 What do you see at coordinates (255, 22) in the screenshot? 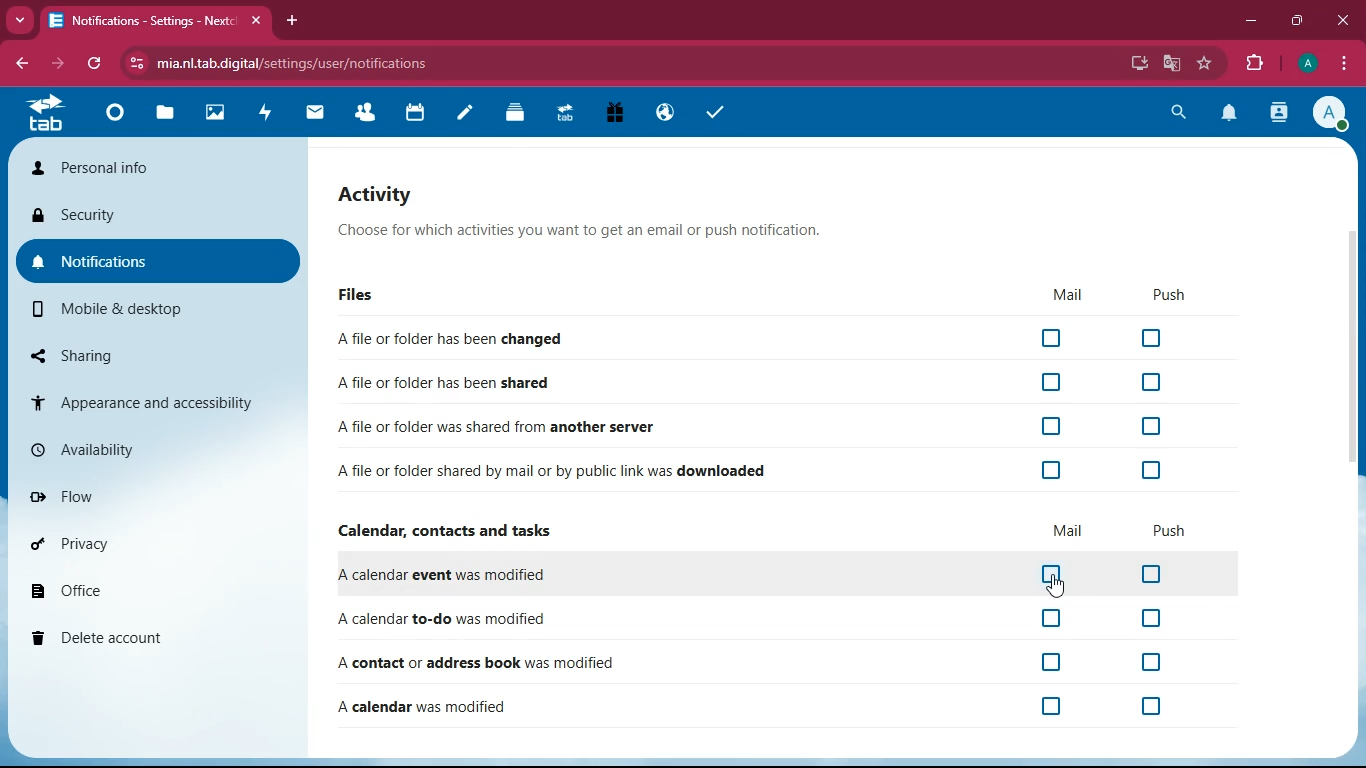
I see `close` at bounding box center [255, 22].